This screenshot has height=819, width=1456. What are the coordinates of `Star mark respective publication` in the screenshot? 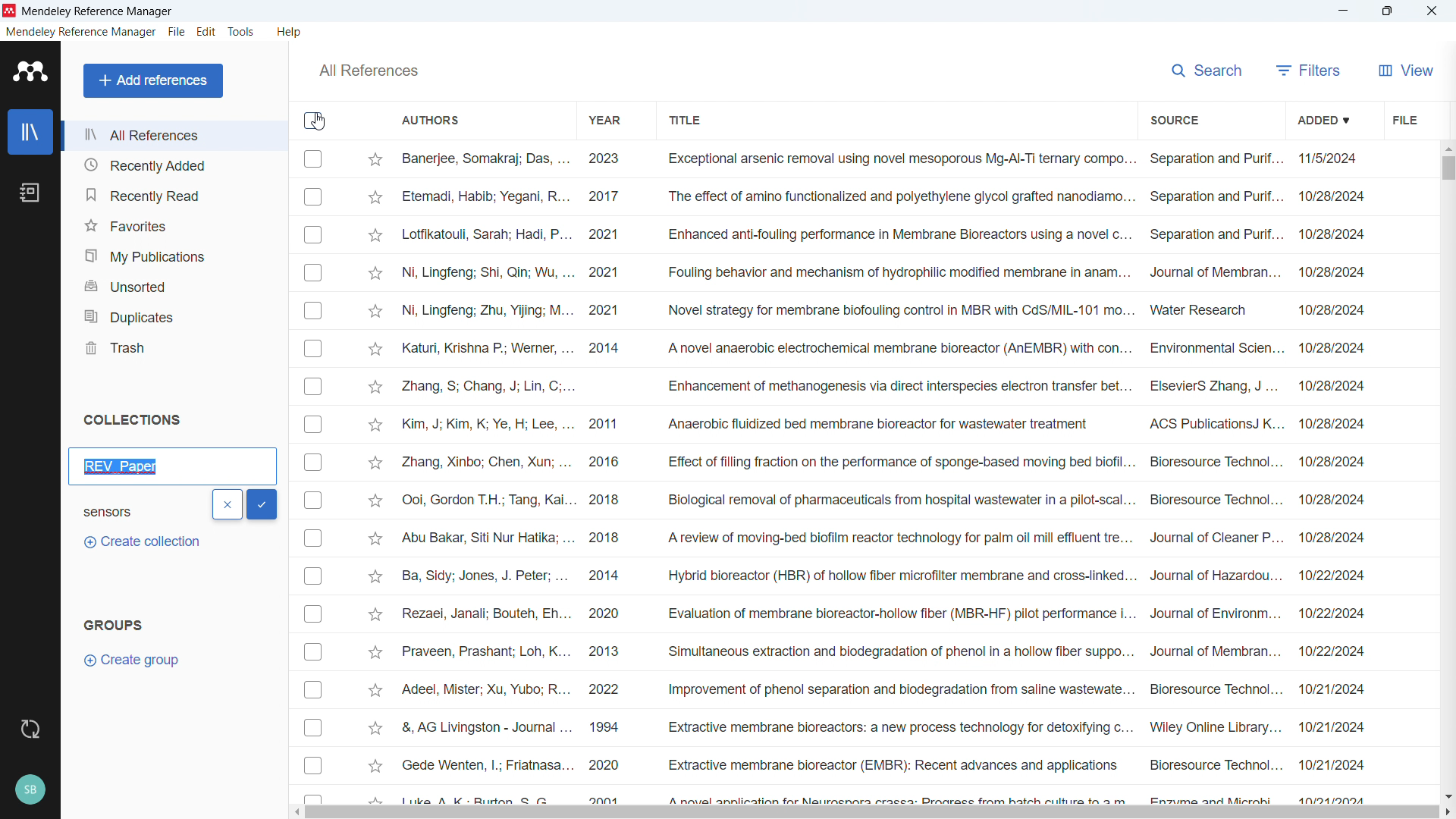 It's located at (376, 576).